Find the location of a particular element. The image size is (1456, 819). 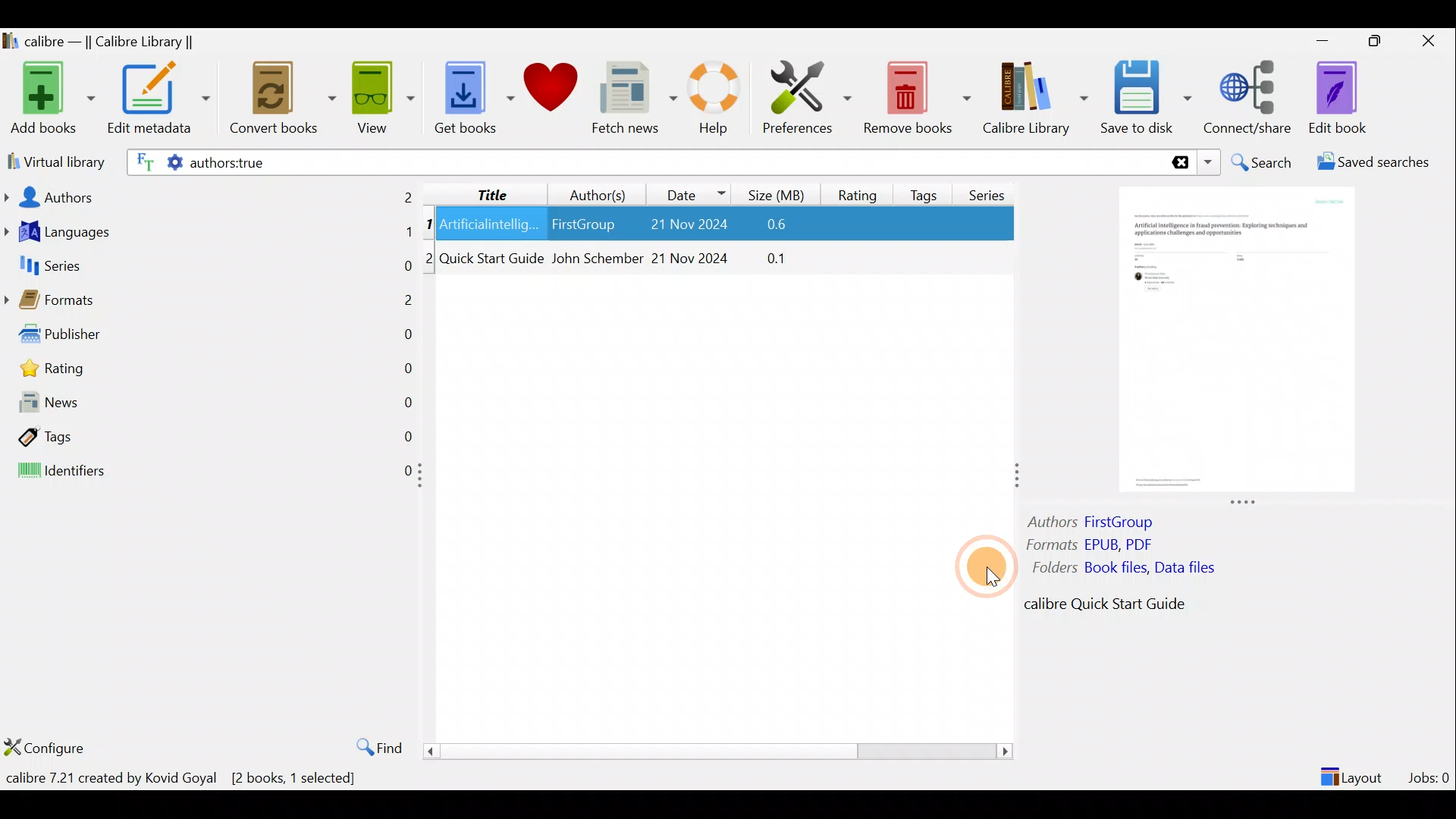

Minimize is located at coordinates (1323, 40).